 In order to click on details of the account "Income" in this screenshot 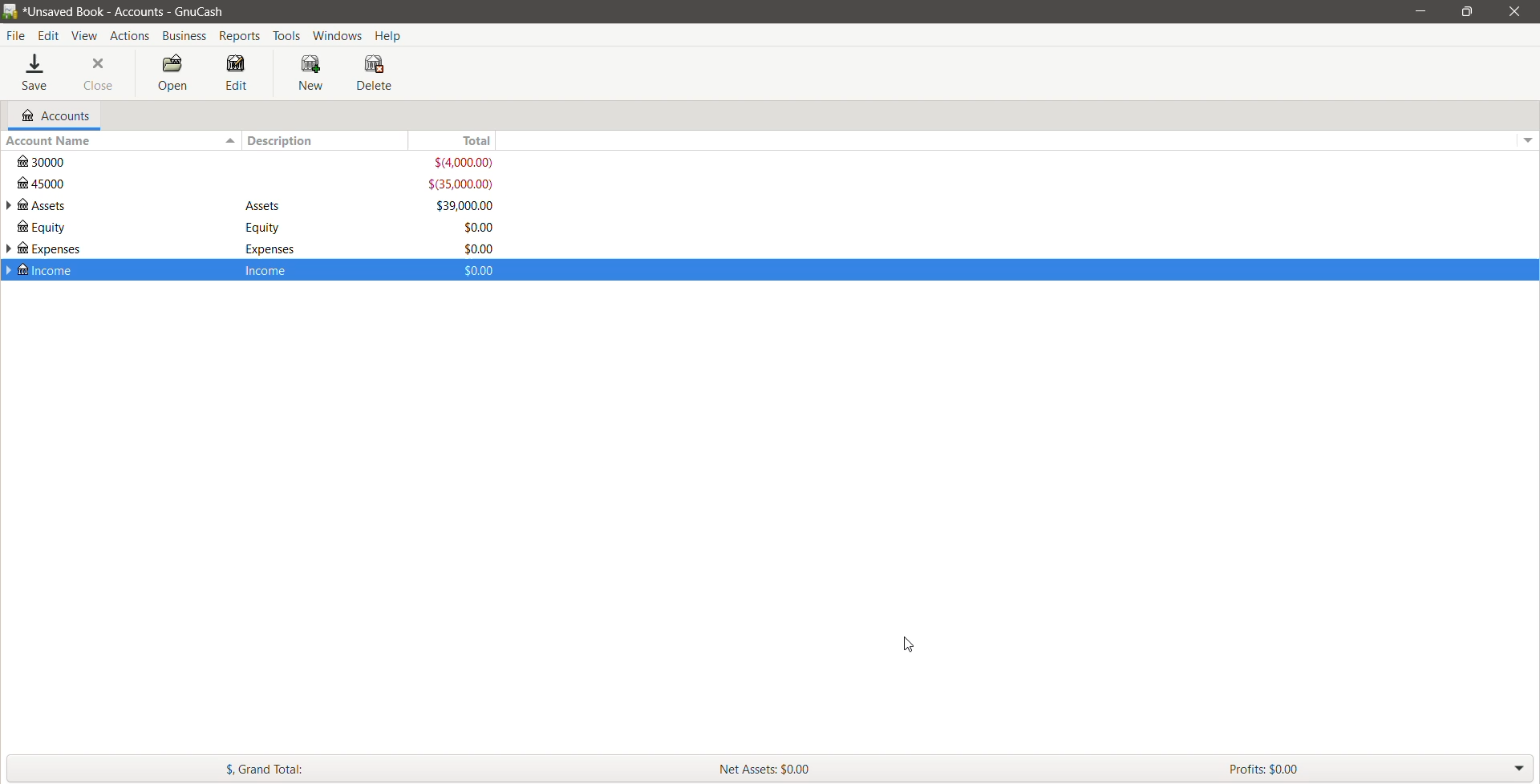, I will do `click(266, 269)`.